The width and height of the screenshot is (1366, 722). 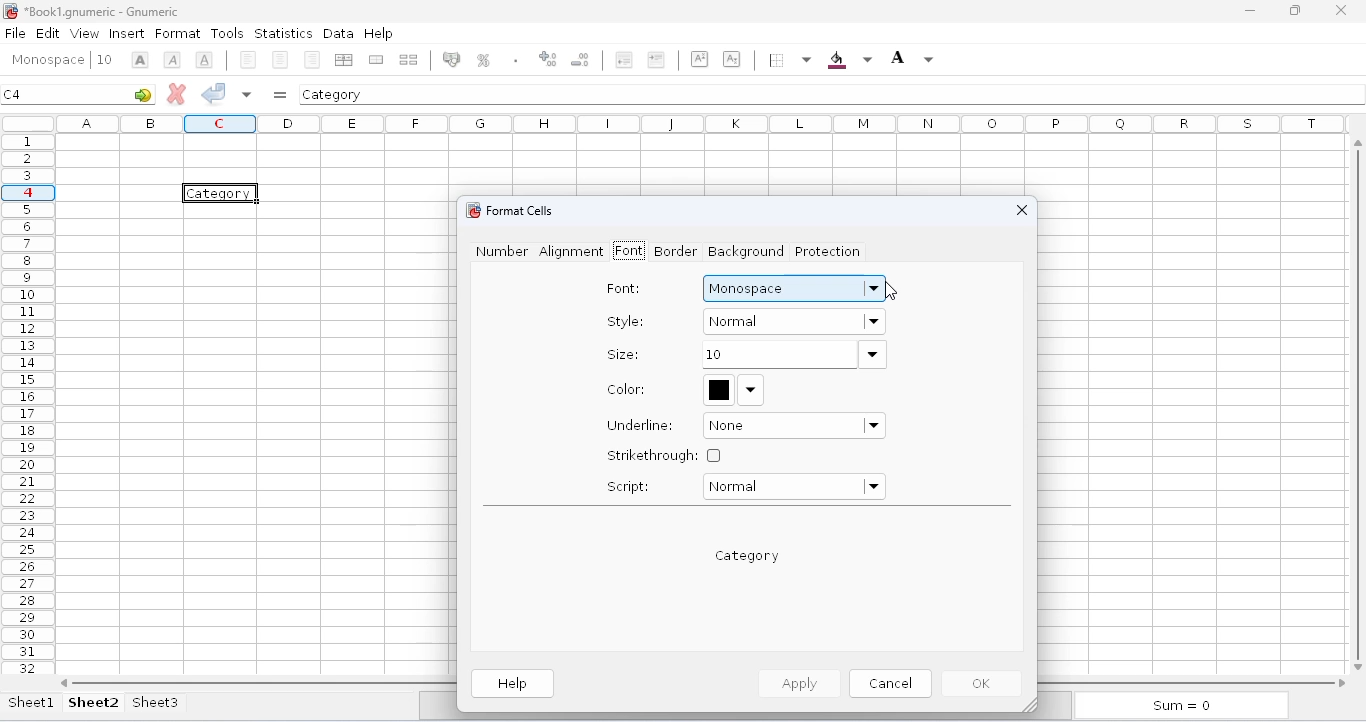 What do you see at coordinates (826, 252) in the screenshot?
I see `protection` at bounding box center [826, 252].